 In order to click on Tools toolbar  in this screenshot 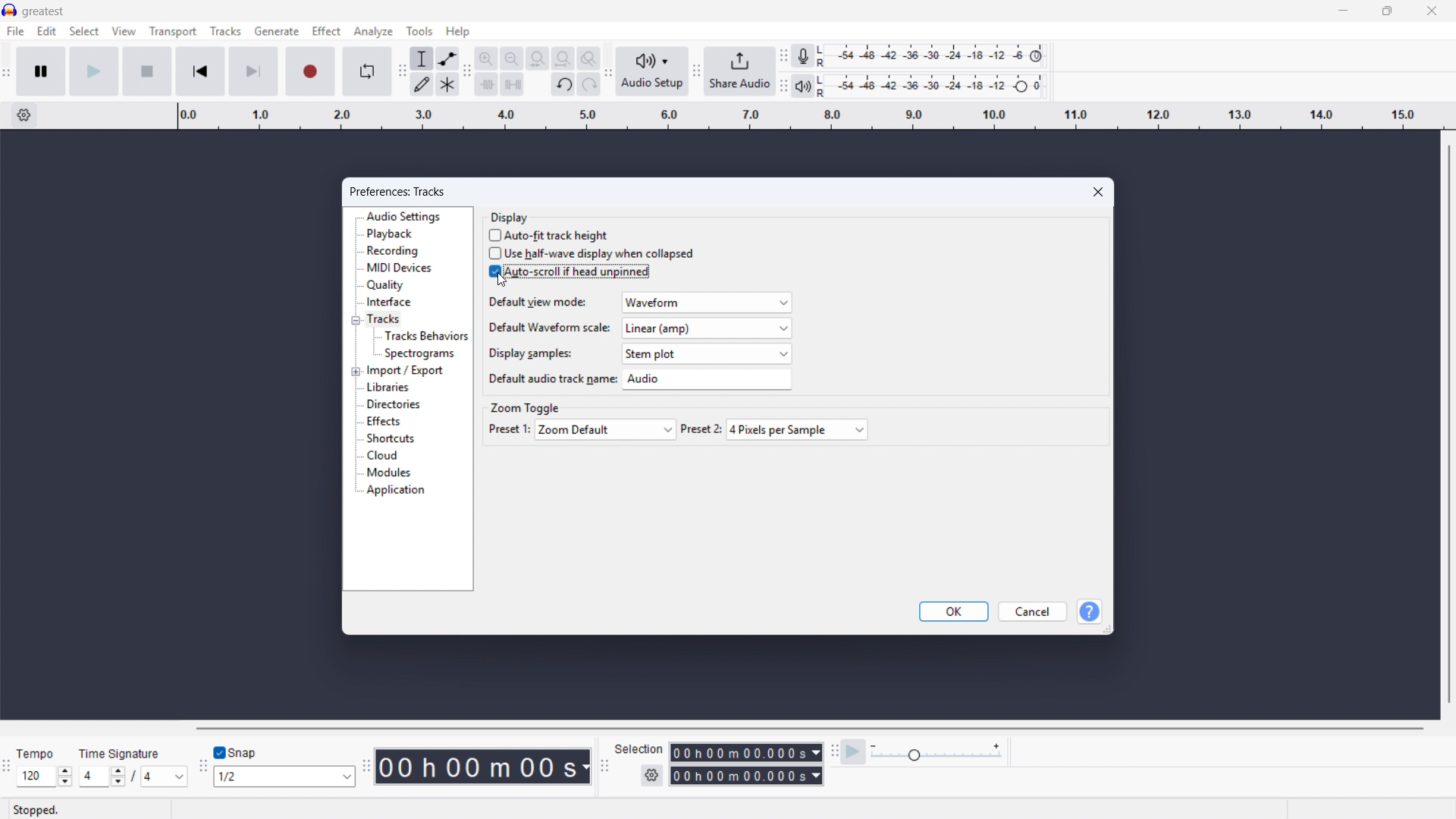, I will do `click(401, 71)`.